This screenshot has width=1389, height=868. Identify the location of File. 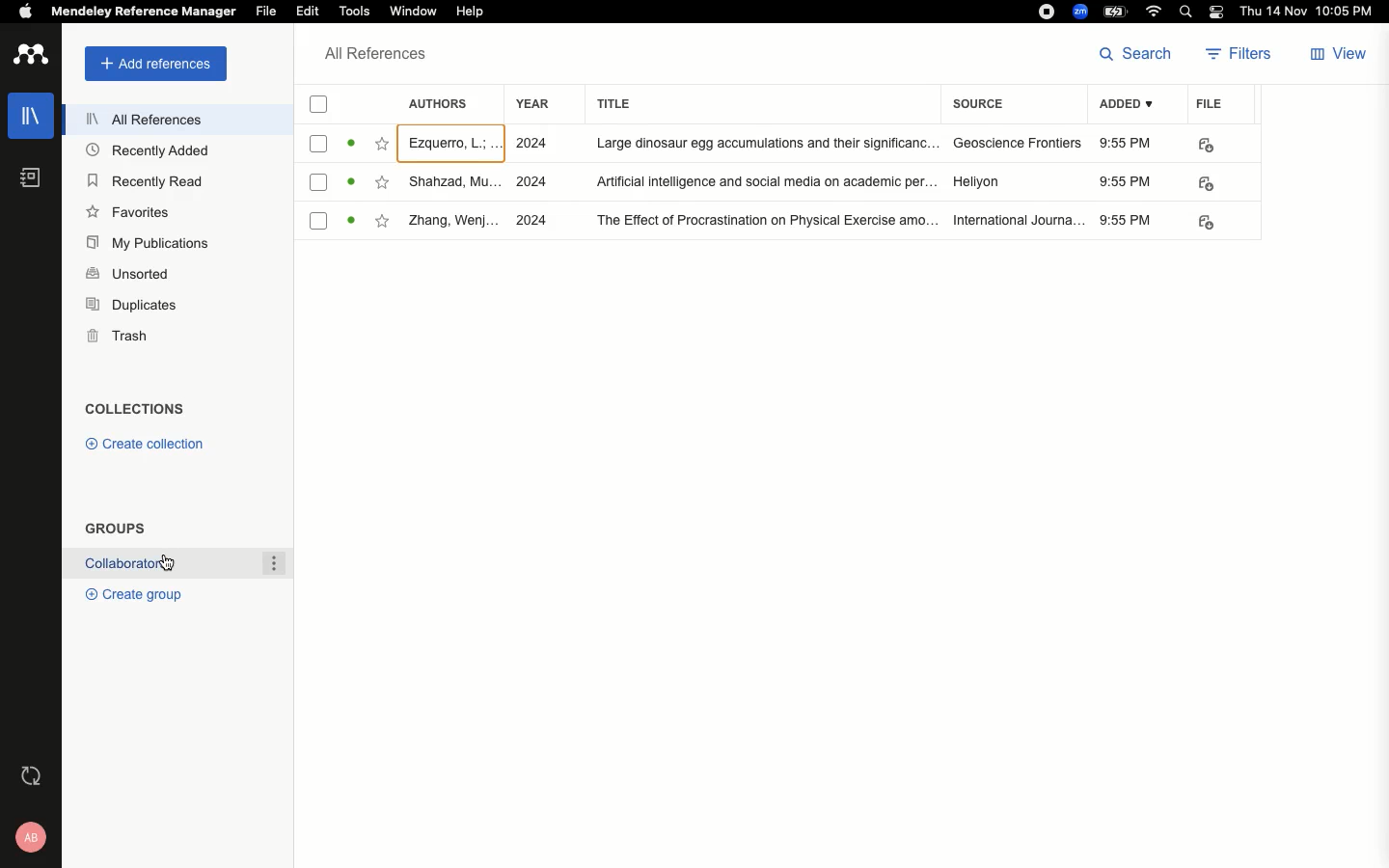
(1214, 103).